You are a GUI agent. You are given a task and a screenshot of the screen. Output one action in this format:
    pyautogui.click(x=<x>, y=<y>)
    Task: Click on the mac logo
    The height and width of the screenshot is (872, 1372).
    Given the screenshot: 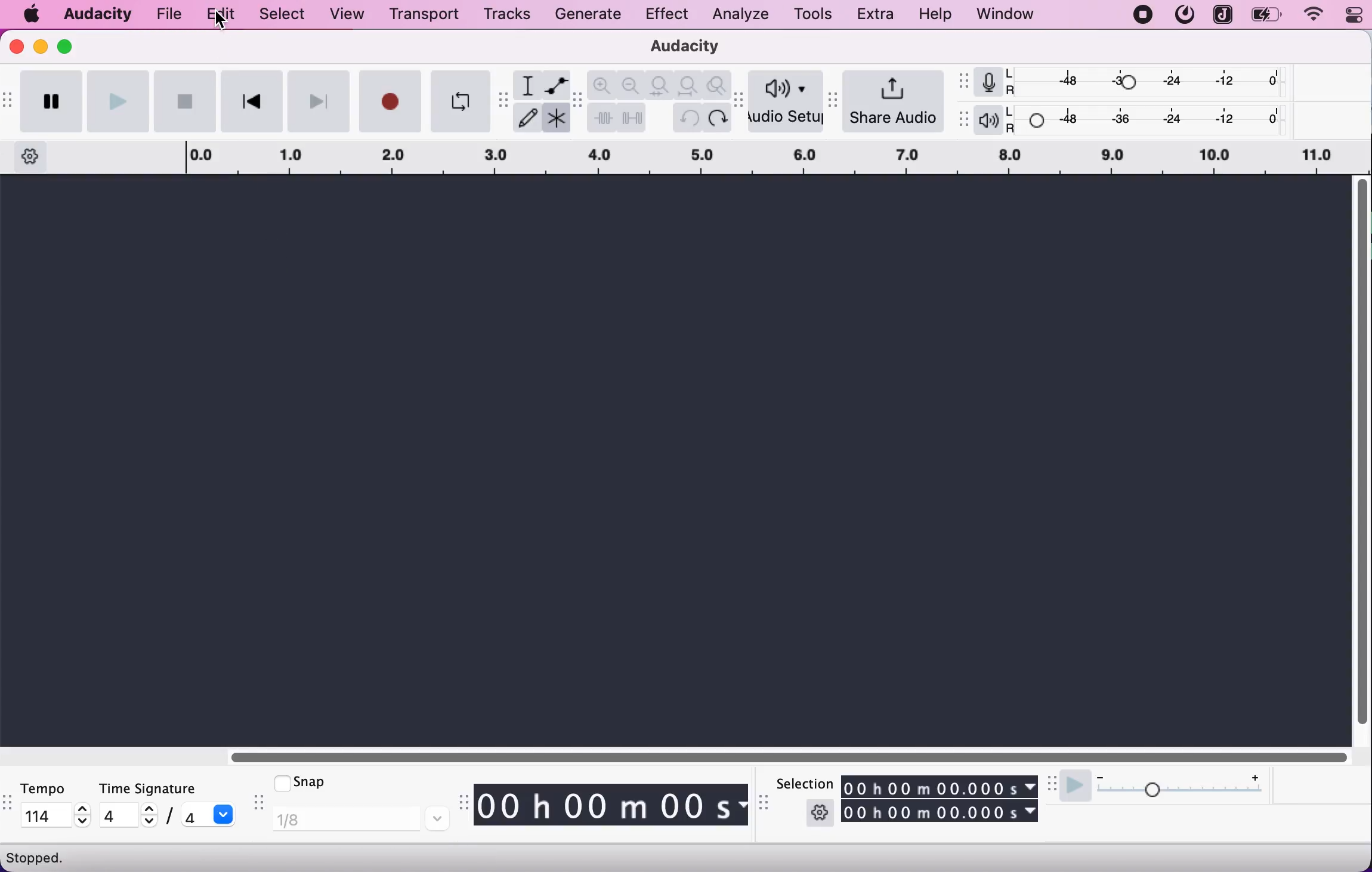 What is the action you would take?
    pyautogui.click(x=33, y=15)
    